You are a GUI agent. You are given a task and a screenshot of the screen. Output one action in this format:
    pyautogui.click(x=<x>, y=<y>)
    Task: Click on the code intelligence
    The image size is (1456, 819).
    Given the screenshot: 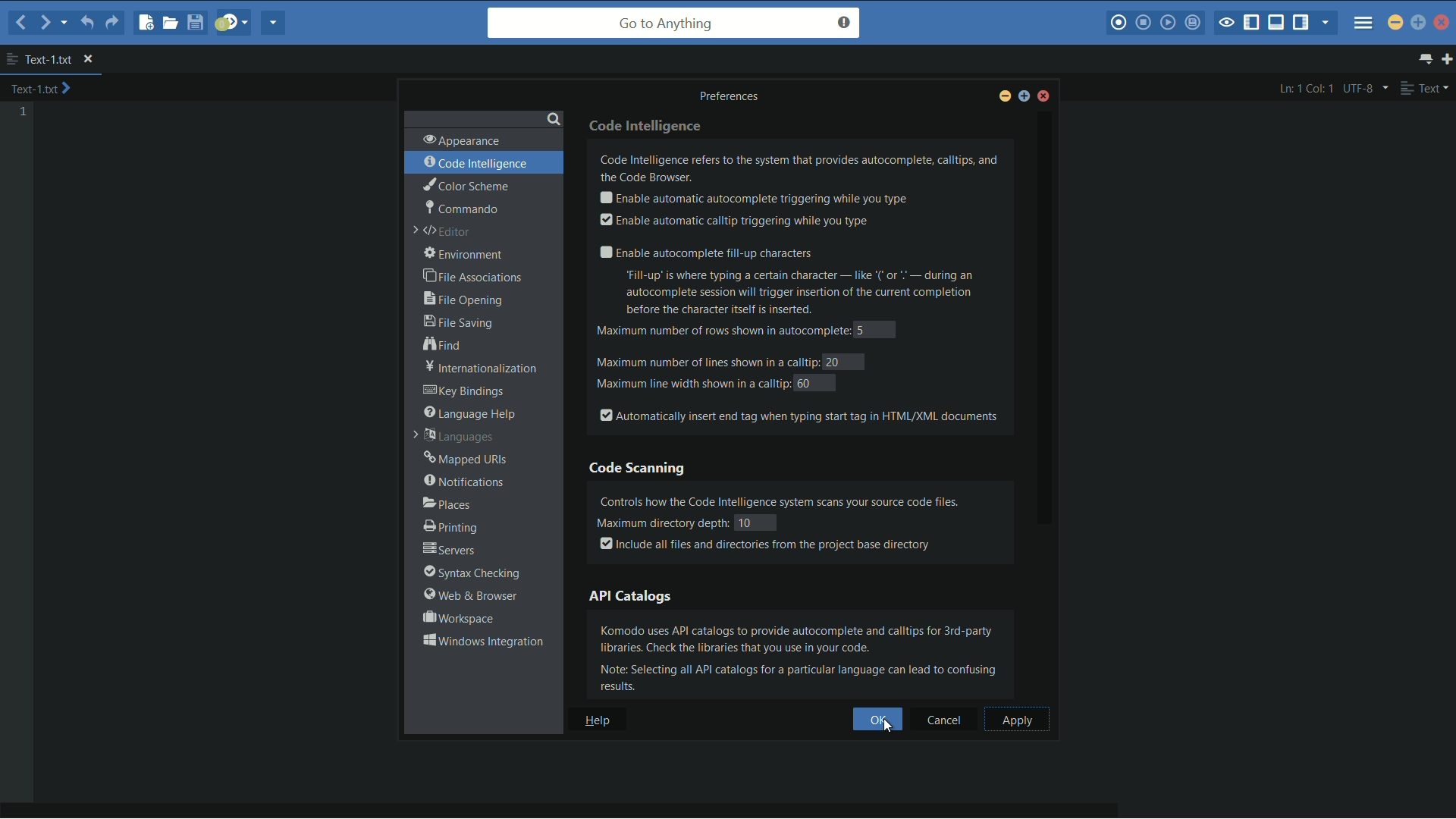 What is the action you would take?
    pyautogui.click(x=477, y=163)
    